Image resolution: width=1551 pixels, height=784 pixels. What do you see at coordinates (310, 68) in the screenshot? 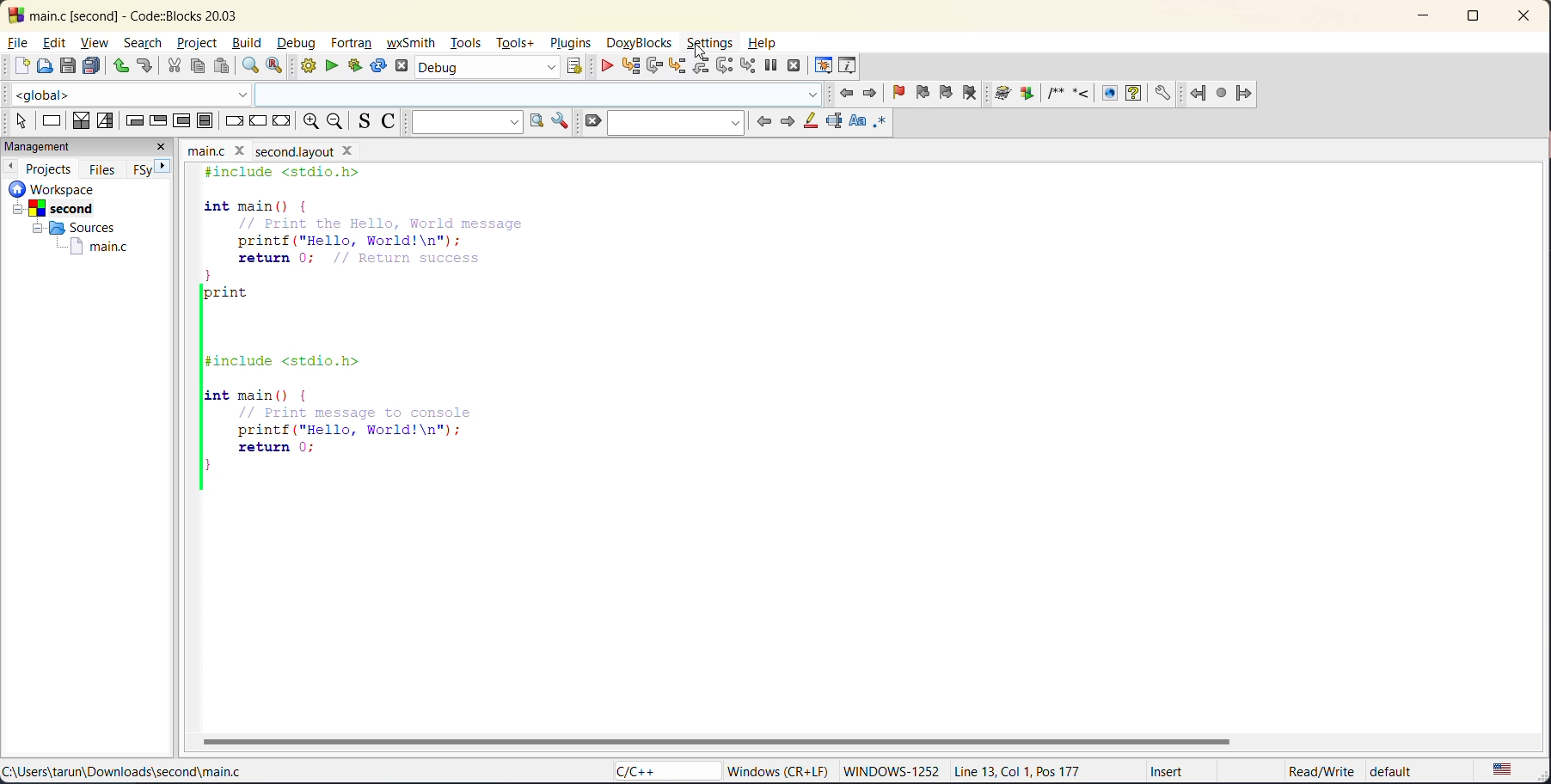
I see `build` at bounding box center [310, 68].